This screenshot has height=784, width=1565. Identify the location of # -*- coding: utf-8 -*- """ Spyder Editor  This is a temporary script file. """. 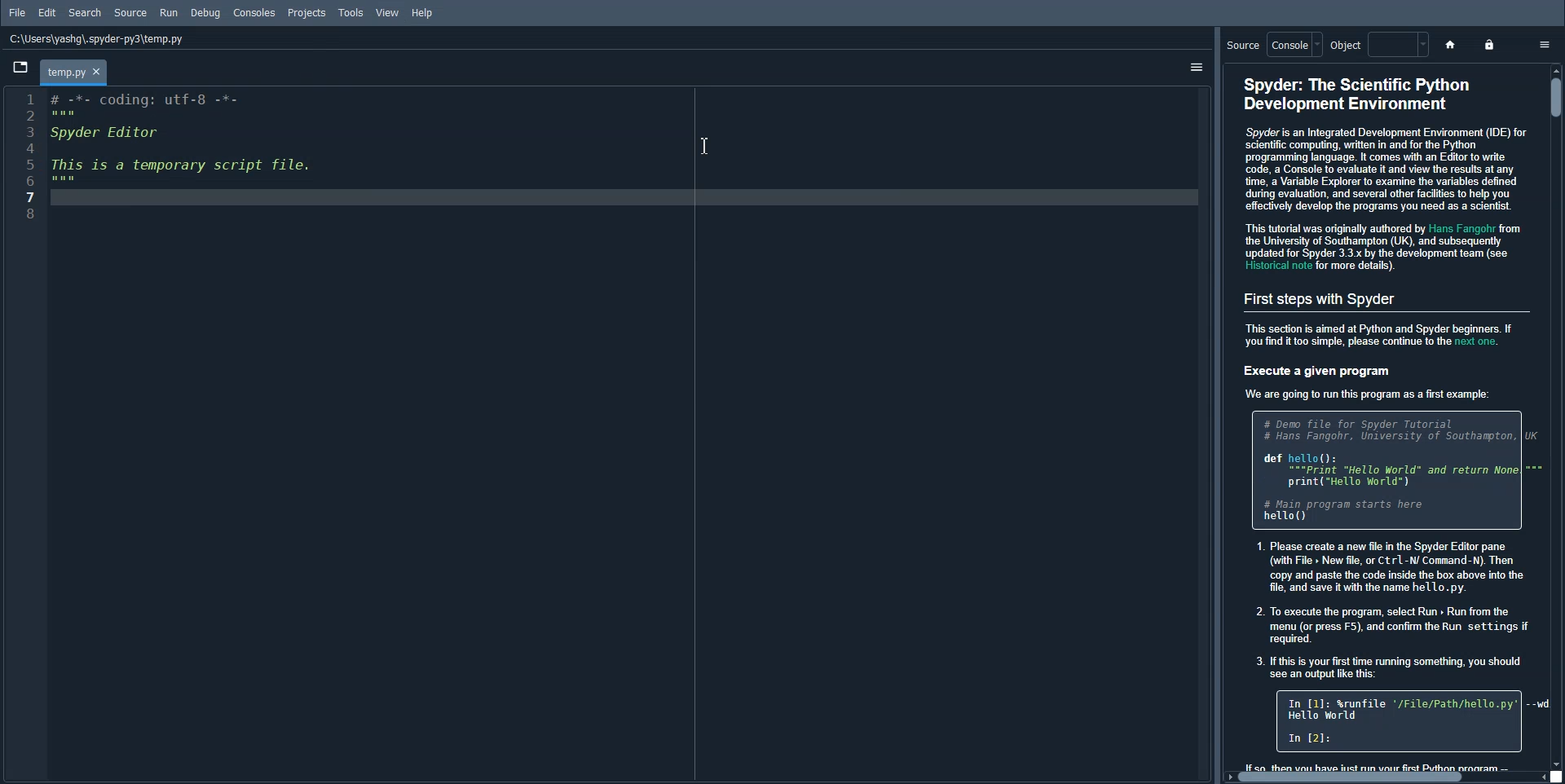
(628, 435).